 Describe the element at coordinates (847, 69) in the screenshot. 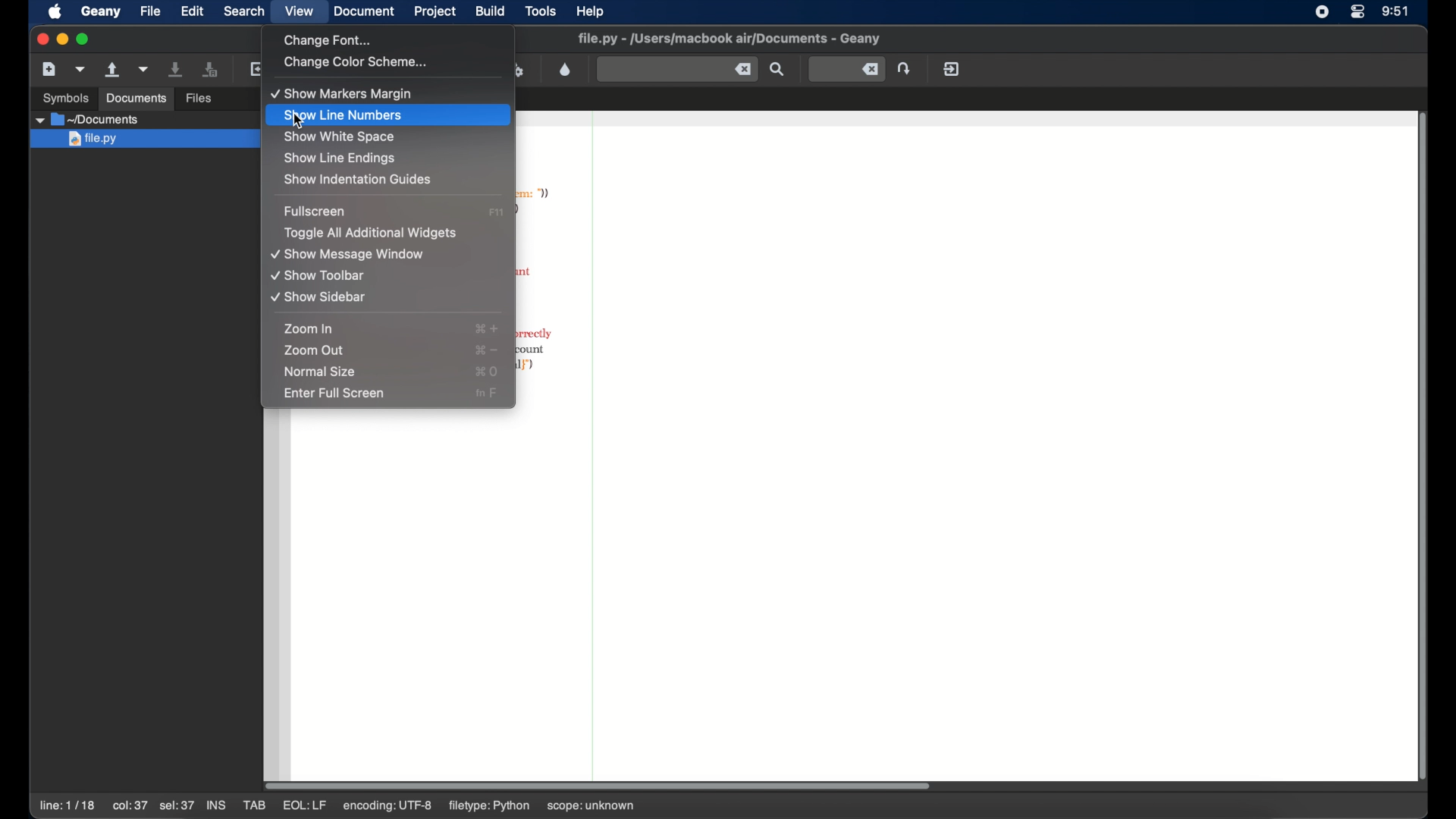

I see `jump to the entered line number` at that location.